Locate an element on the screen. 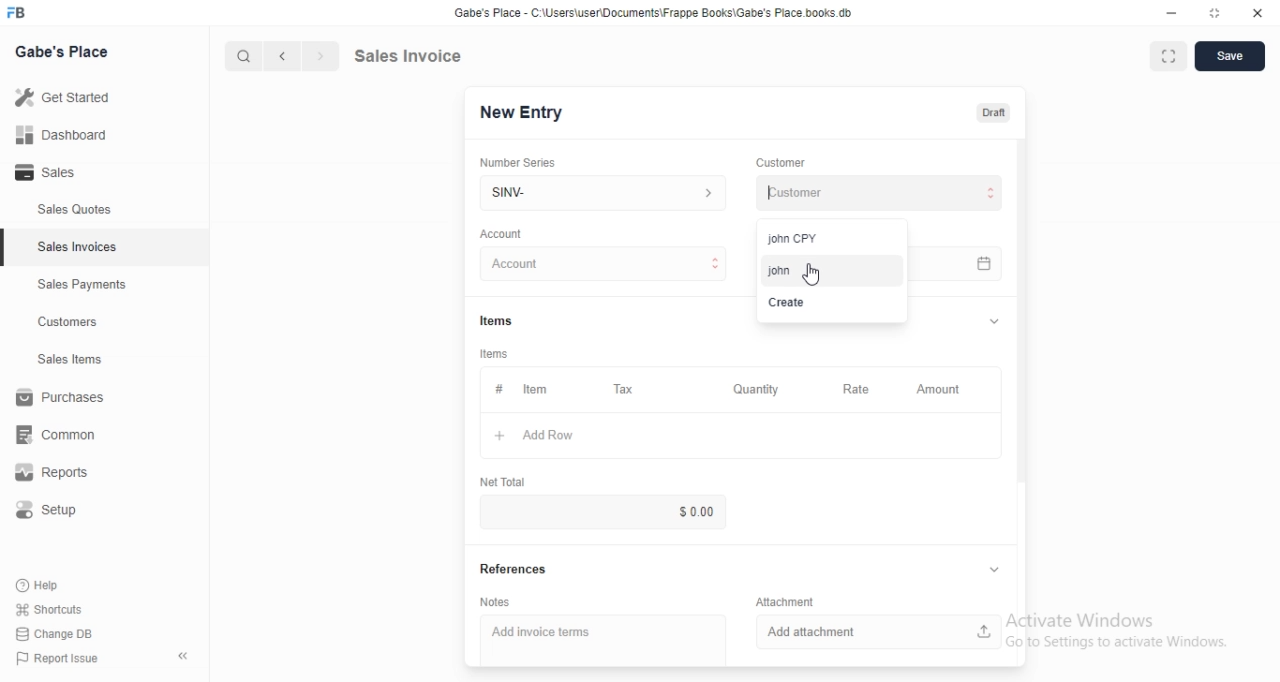 The width and height of the screenshot is (1280, 682). minimize is located at coordinates (1163, 15).